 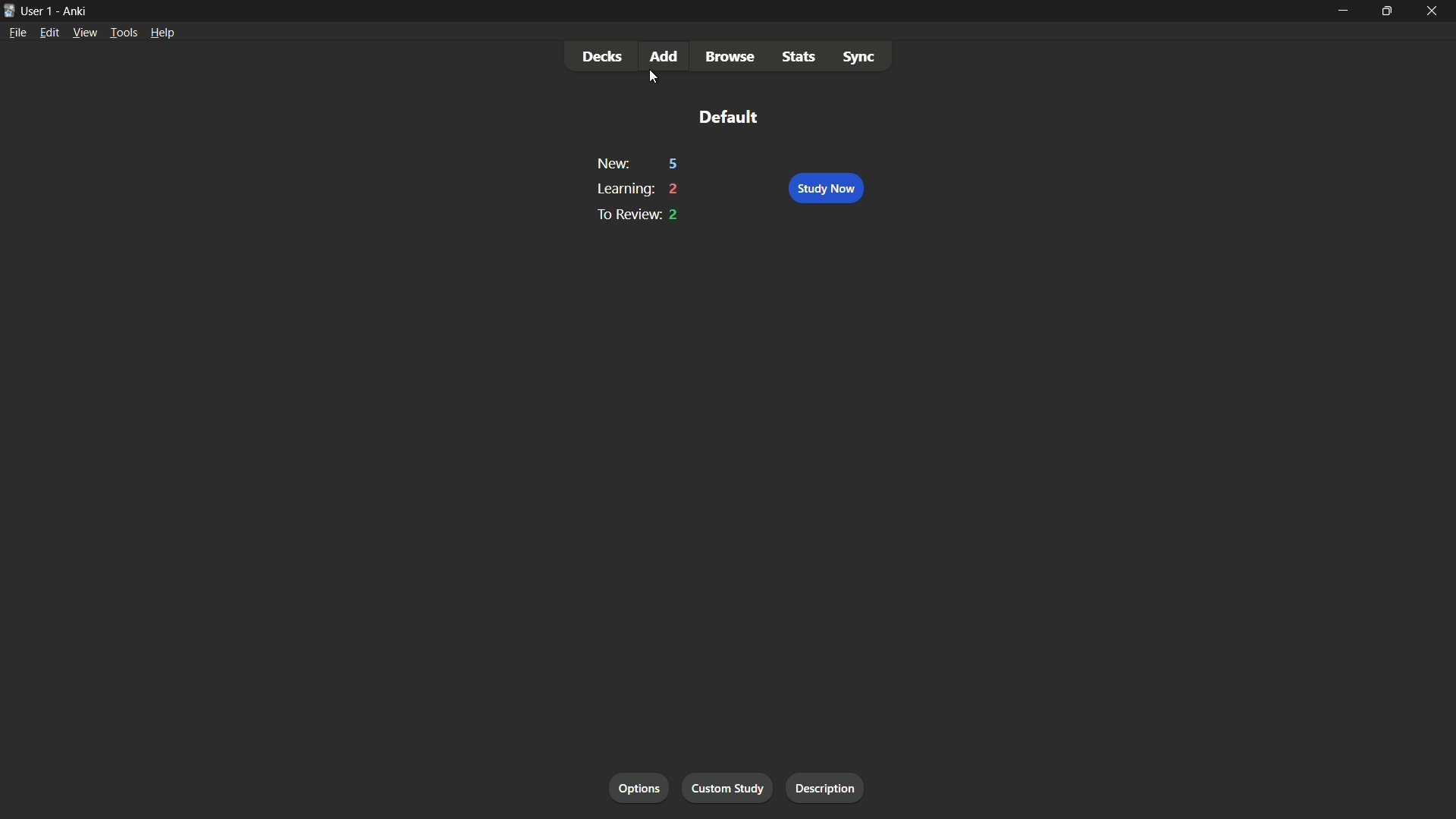 I want to click on app name, so click(x=74, y=11).